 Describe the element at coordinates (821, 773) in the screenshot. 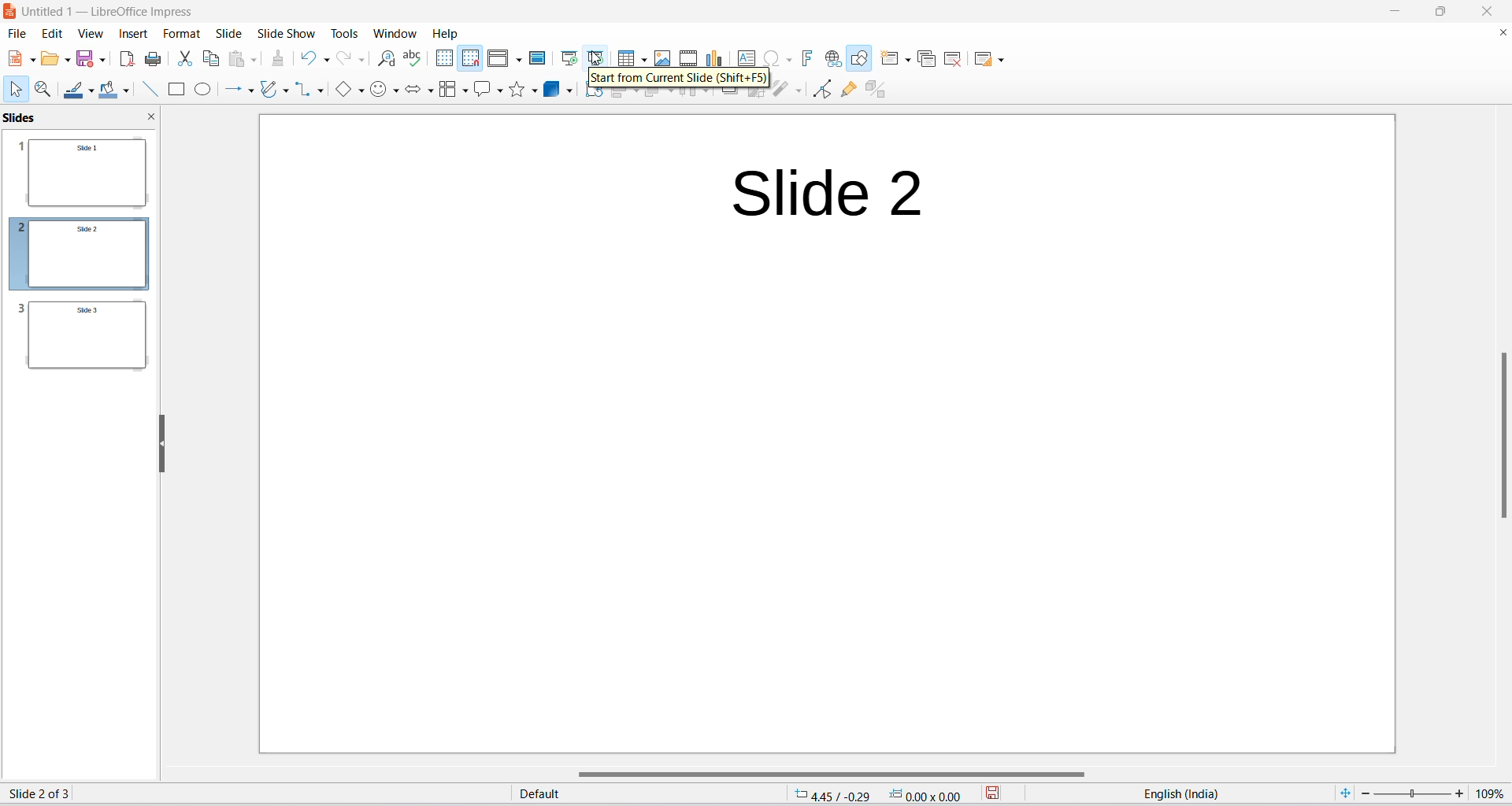

I see `horizontal scrollbar` at that location.